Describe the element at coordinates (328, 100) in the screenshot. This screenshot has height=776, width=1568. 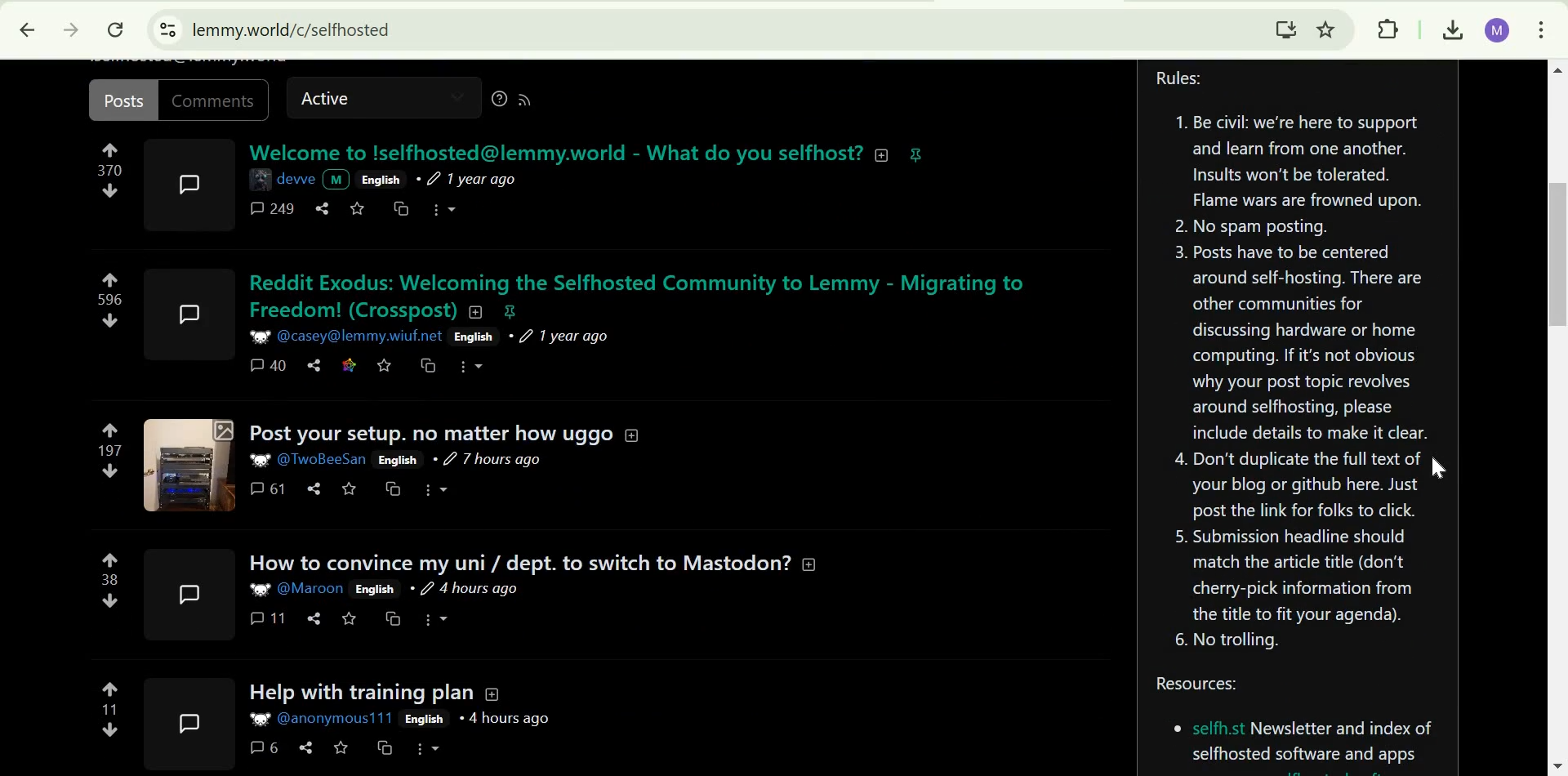
I see `sctive` at that location.